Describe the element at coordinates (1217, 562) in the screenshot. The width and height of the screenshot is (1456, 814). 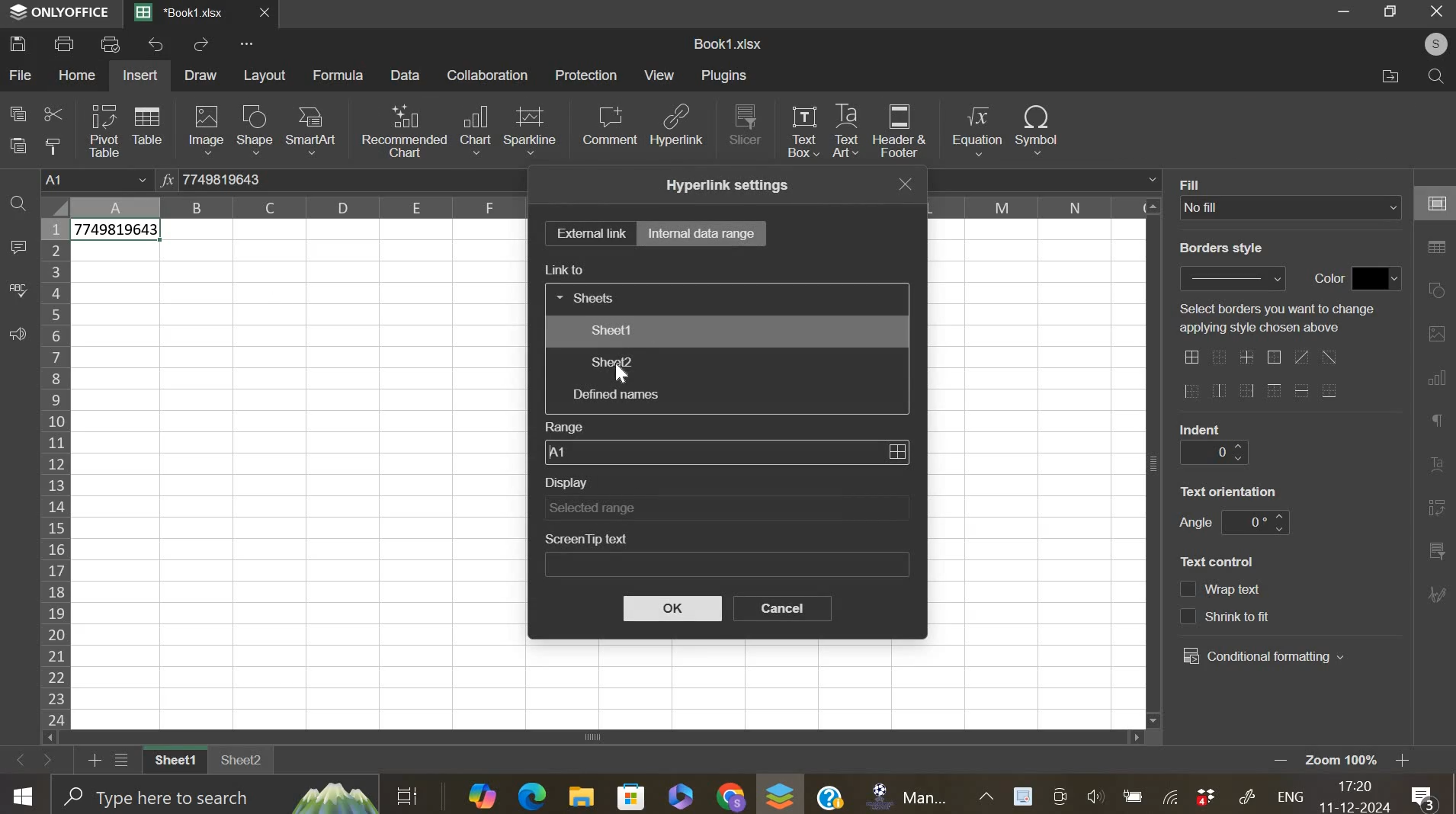
I see `text` at that location.